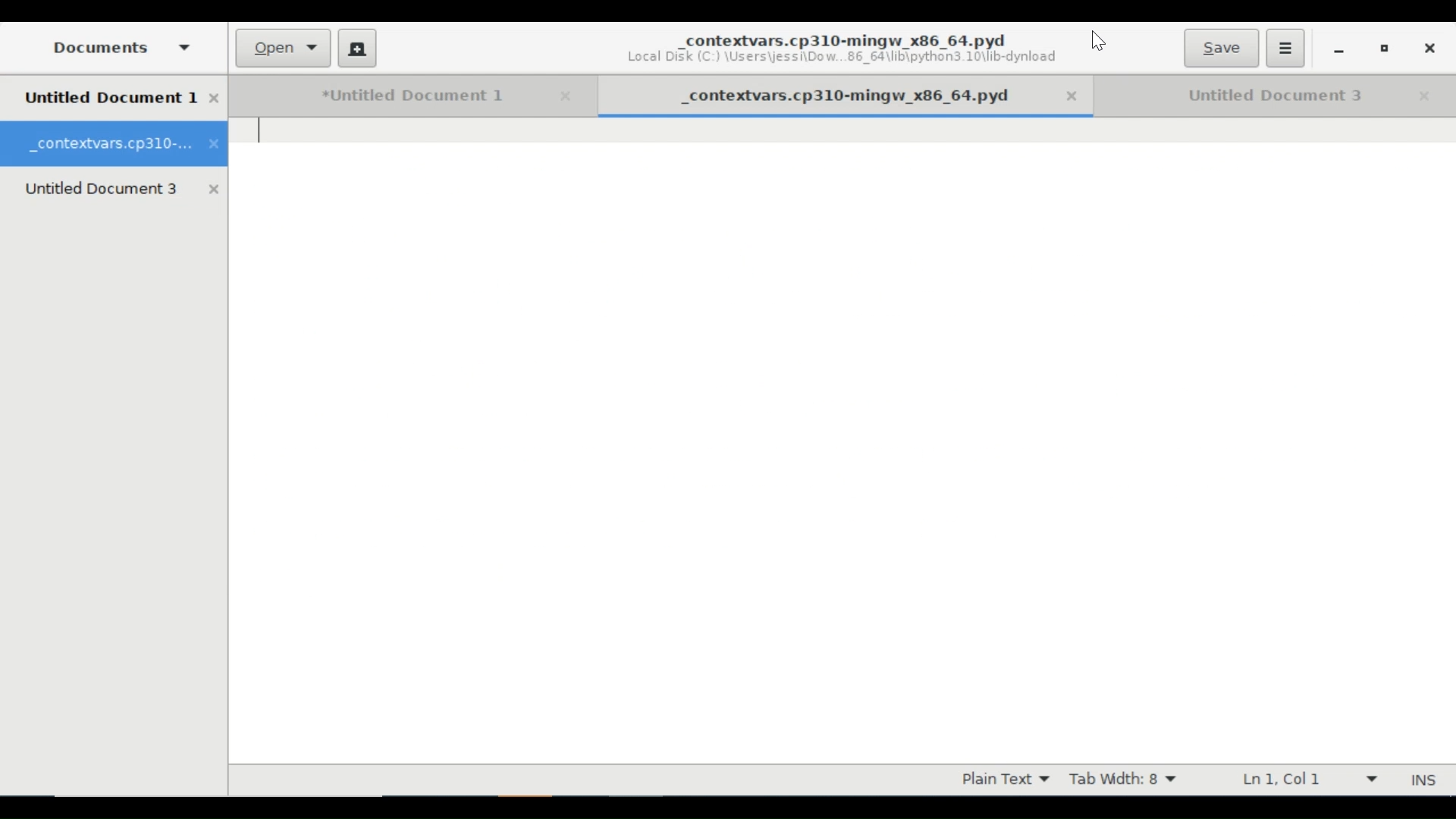 This screenshot has height=819, width=1456. Describe the element at coordinates (1078, 97) in the screenshot. I see `Close` at that location.